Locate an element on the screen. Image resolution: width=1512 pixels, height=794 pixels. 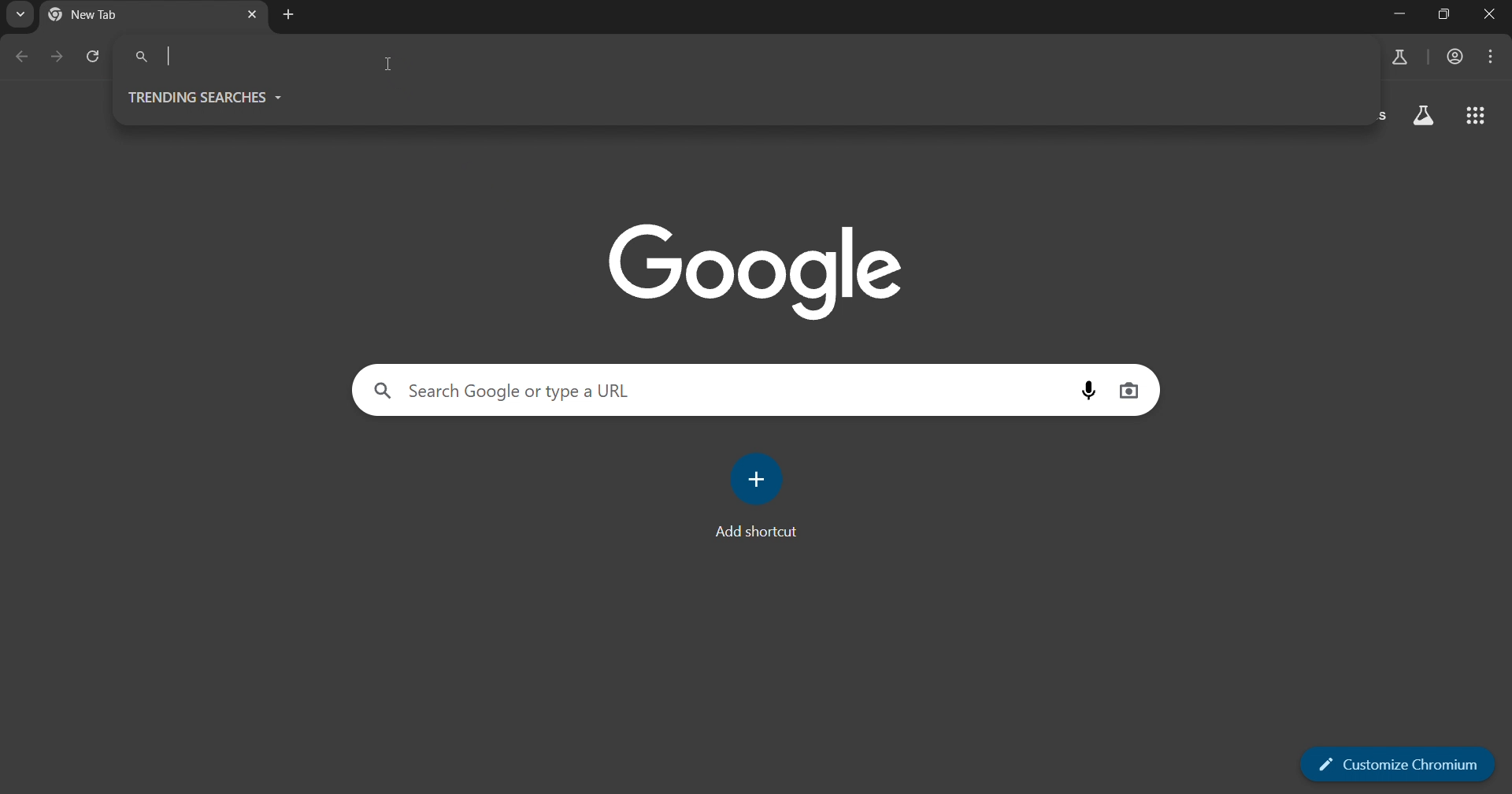
search tab is located at coordinates (17, 17).